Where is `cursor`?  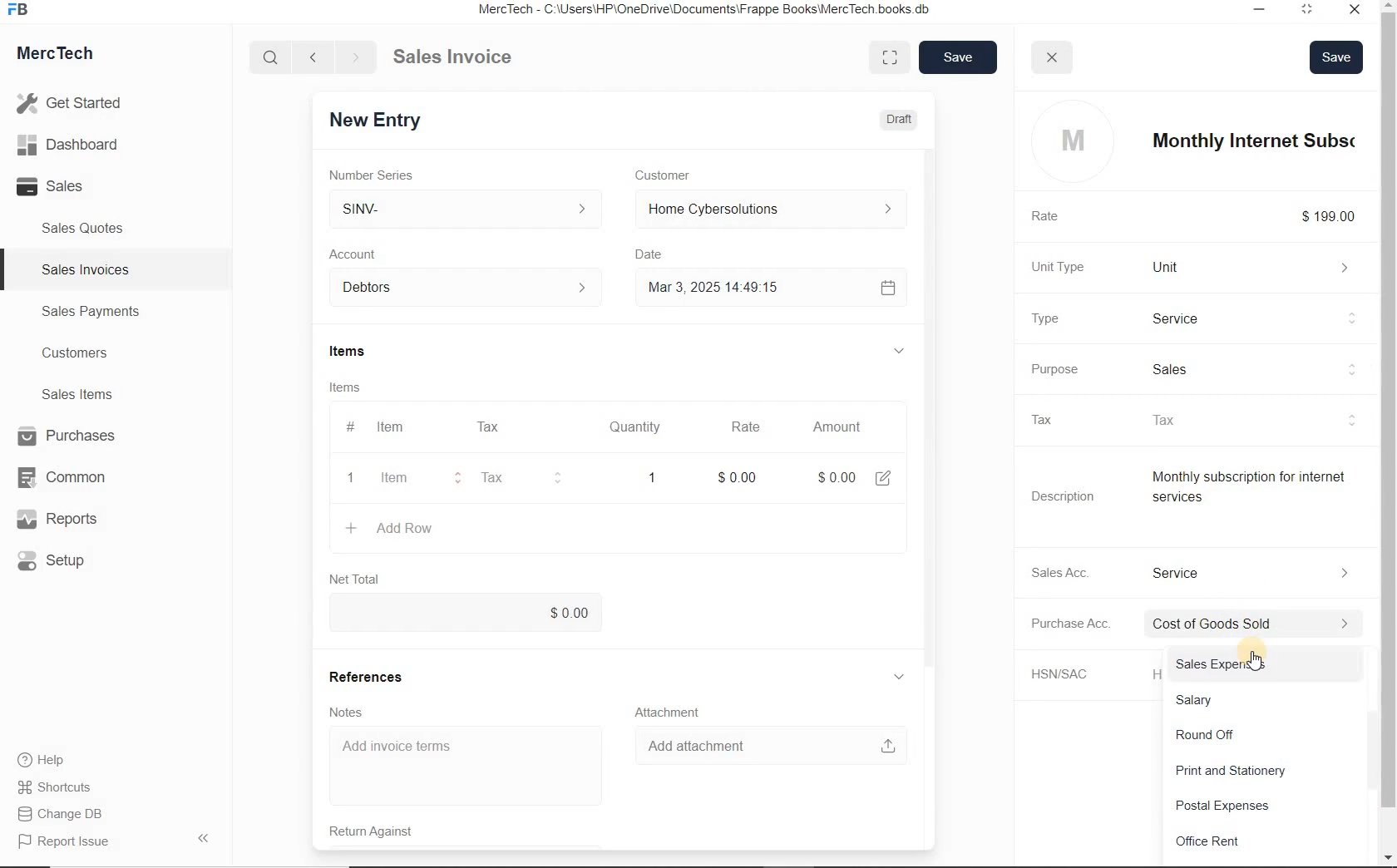 cursor is located at coordinates (1254, 658).